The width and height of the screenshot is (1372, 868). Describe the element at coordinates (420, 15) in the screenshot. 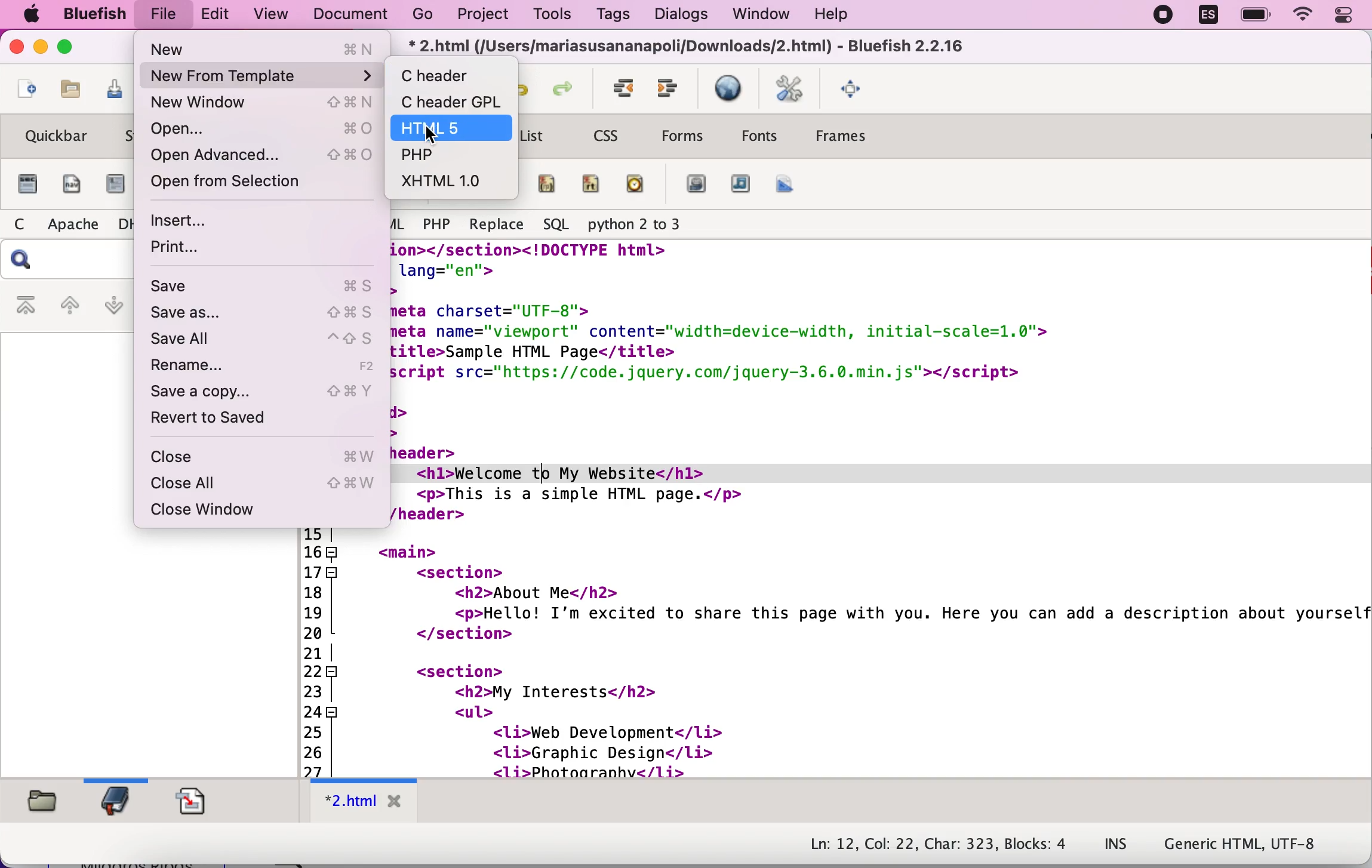

I see `go` at that location.